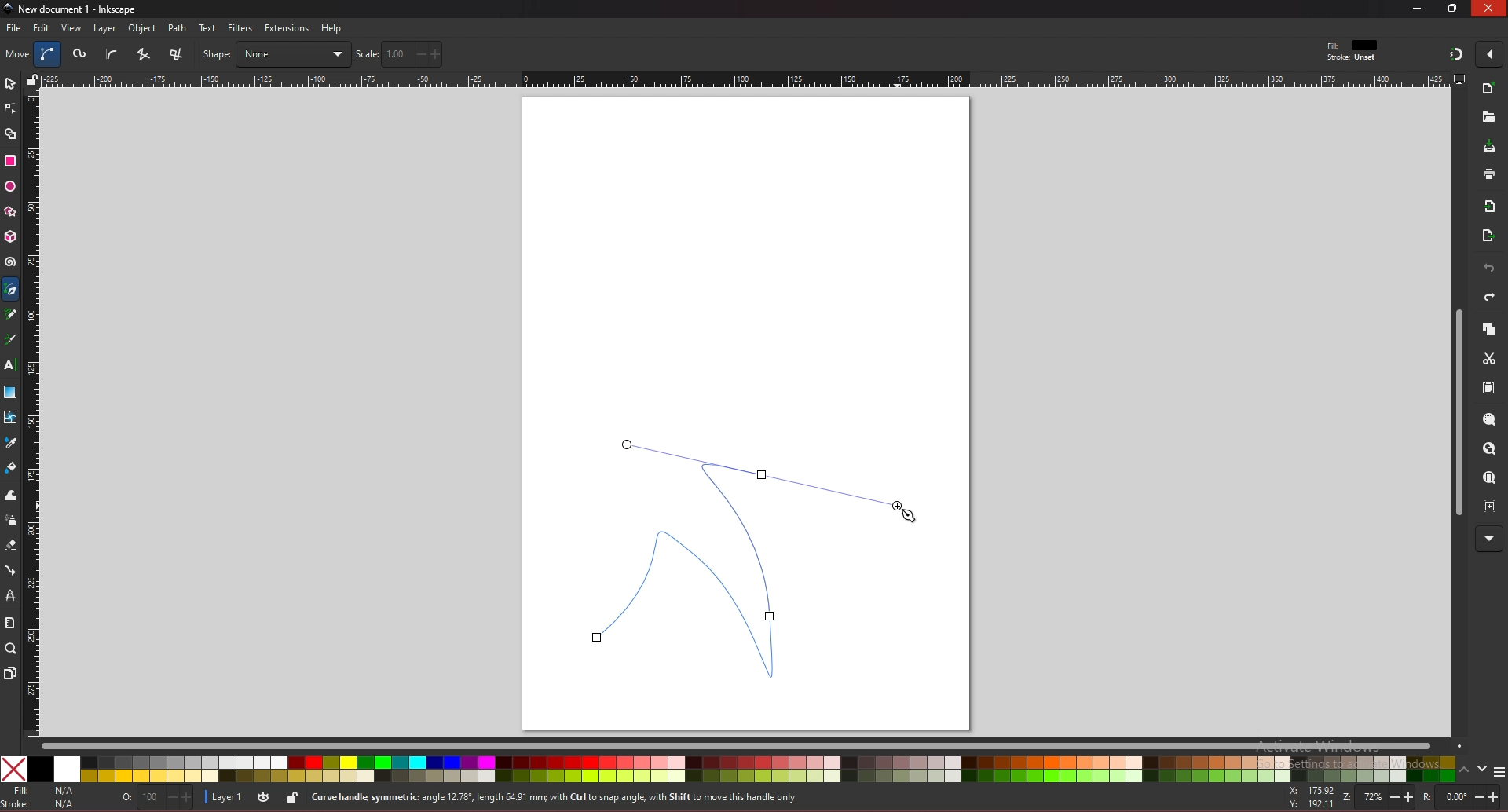 The width and height of the screenshot is (1508, 812). Describe the element at coordinates (10, 187) in the screenshot. I see `ellipse` at that location.